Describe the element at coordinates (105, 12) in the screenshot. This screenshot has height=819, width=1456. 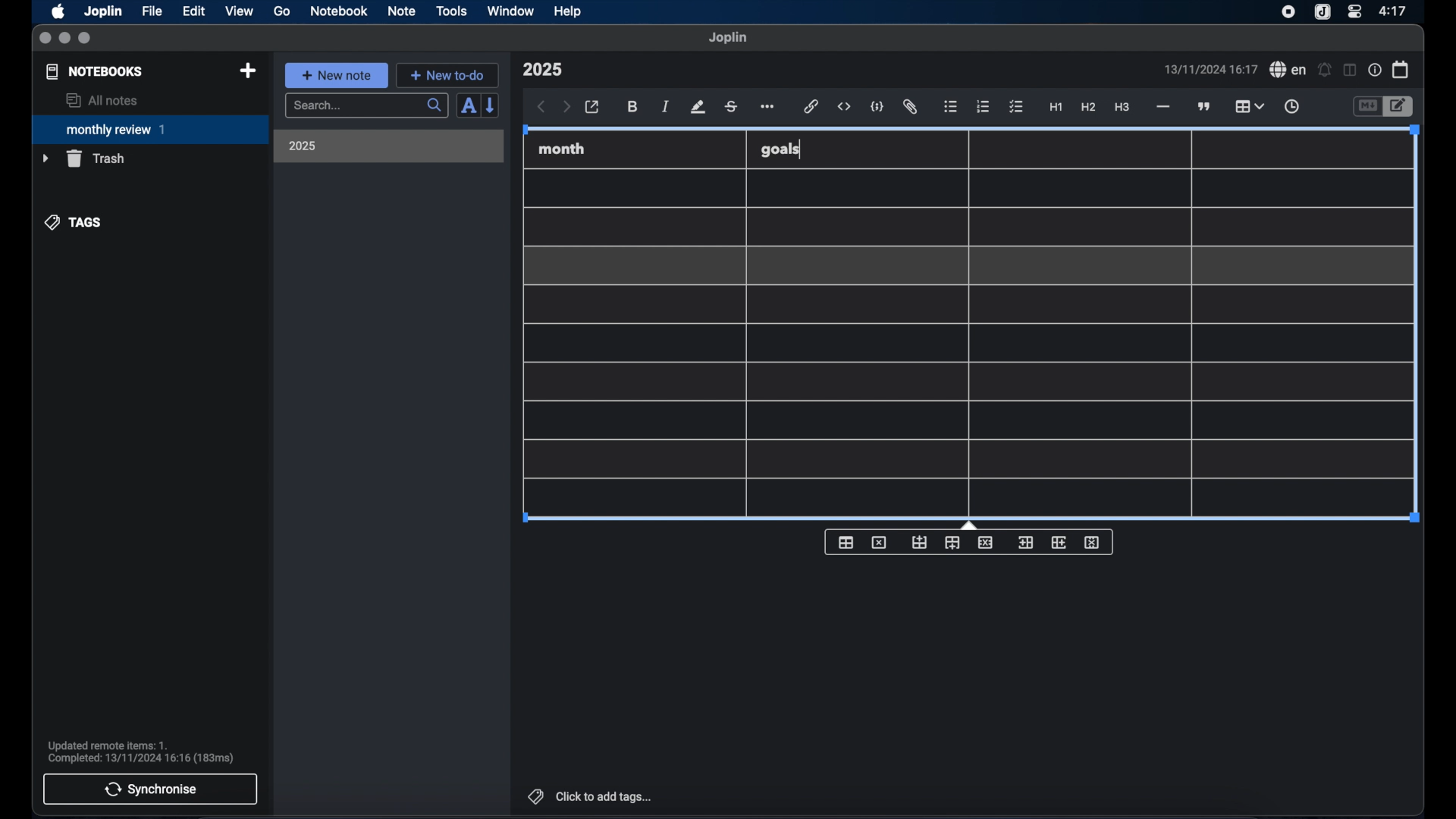
I see `Joplin` at that location.